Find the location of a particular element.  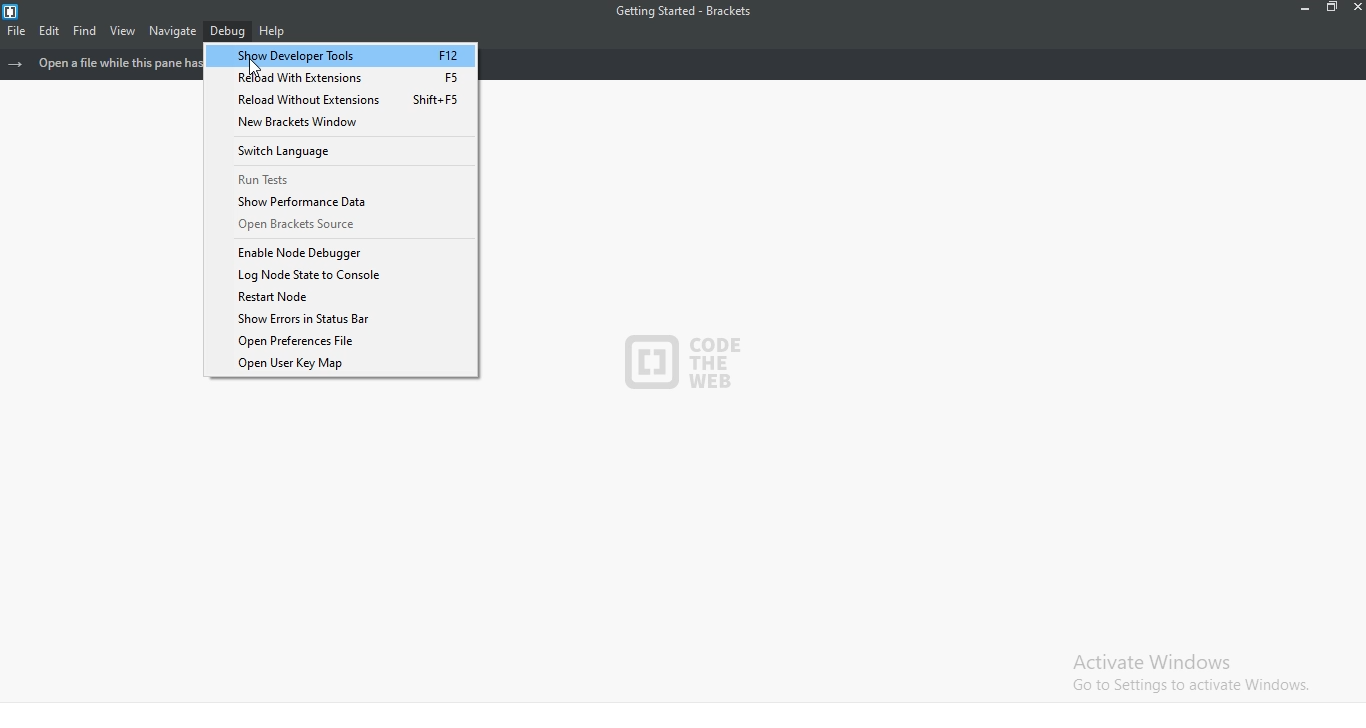

logo is located at coordinates (15, 11).